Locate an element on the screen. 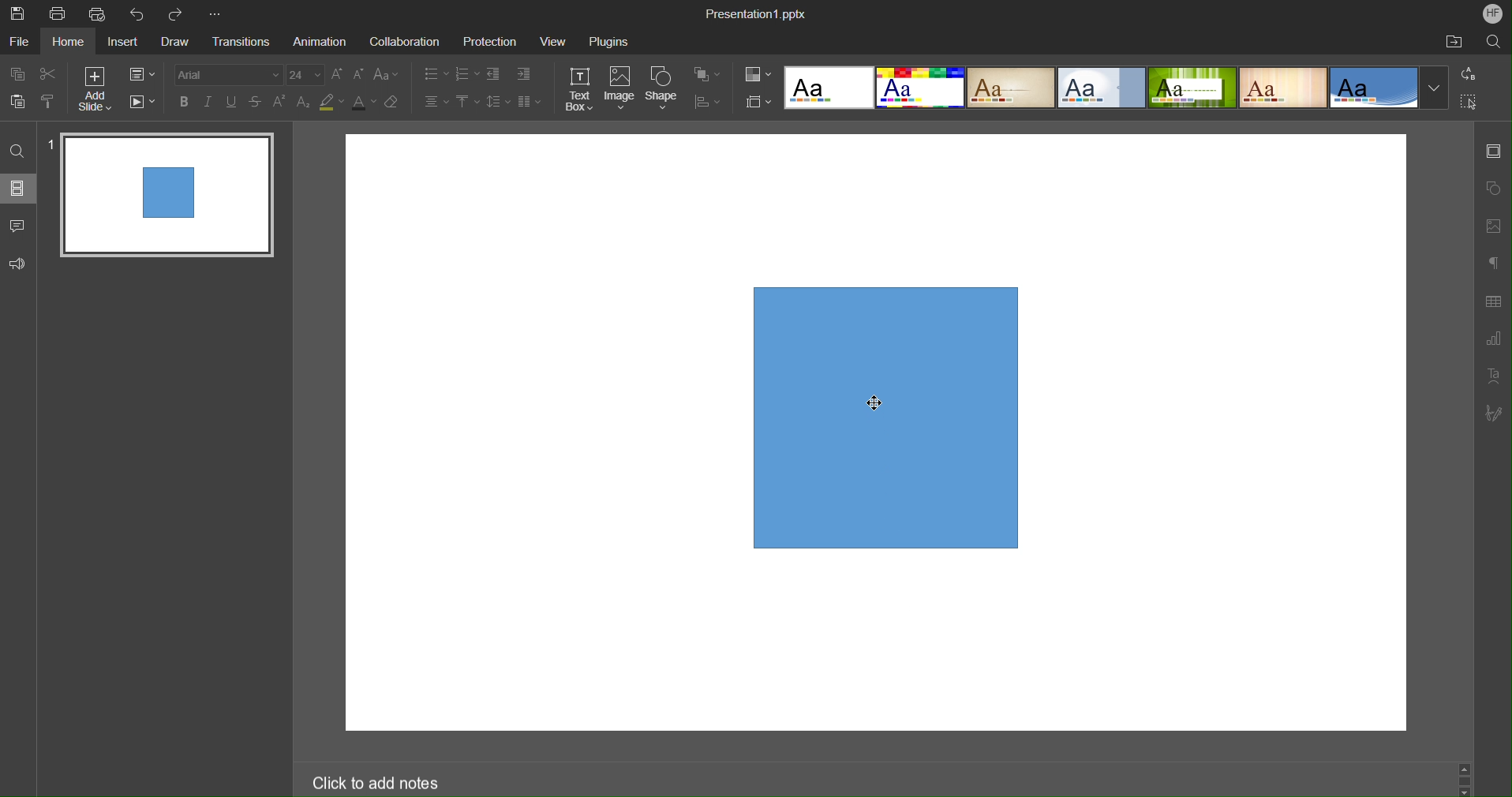 The height and width of the screenshot is (797, 1512). File is located at coordinates (20, 39).